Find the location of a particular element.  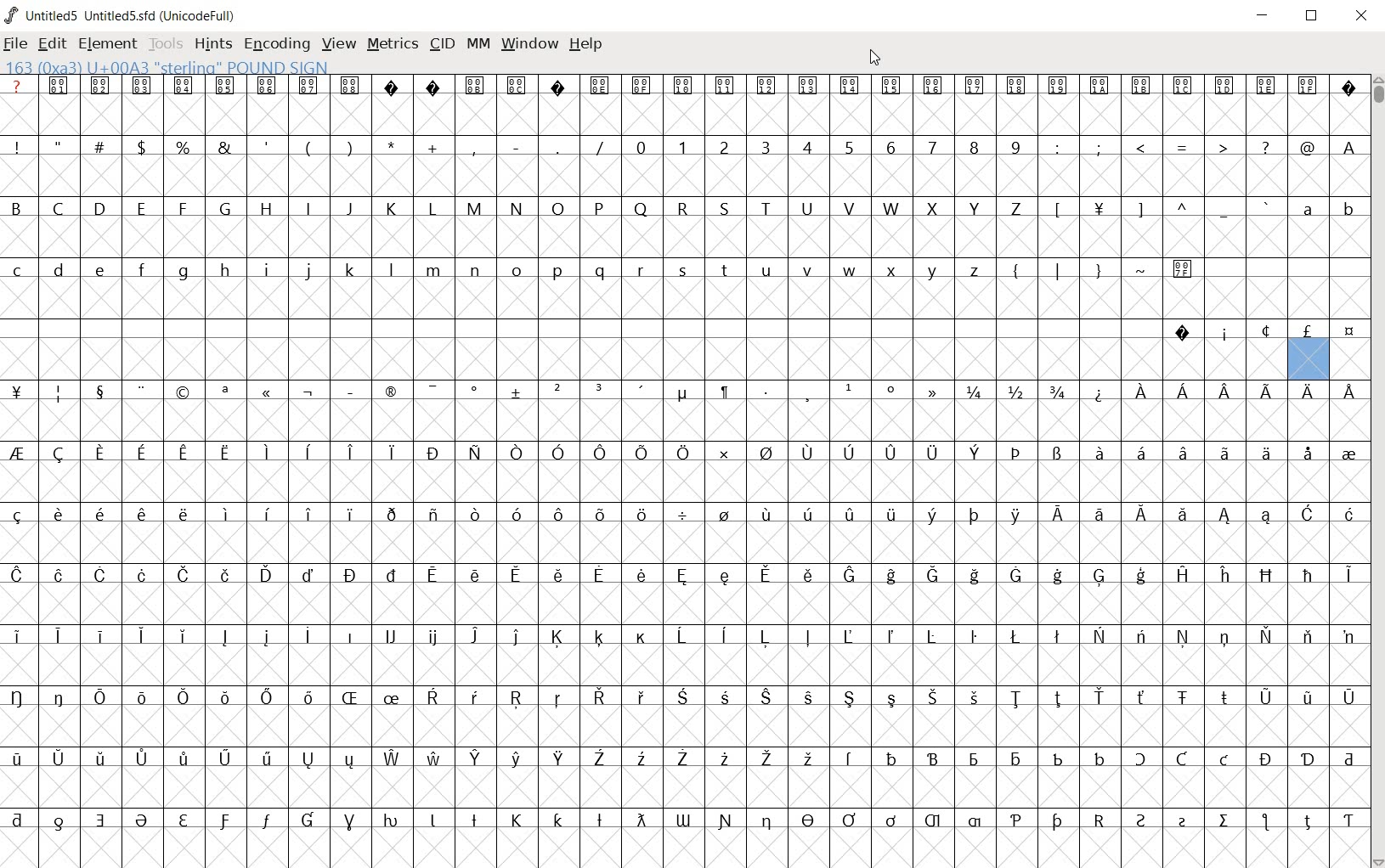

Symbol is located at coordinates (806, 453).